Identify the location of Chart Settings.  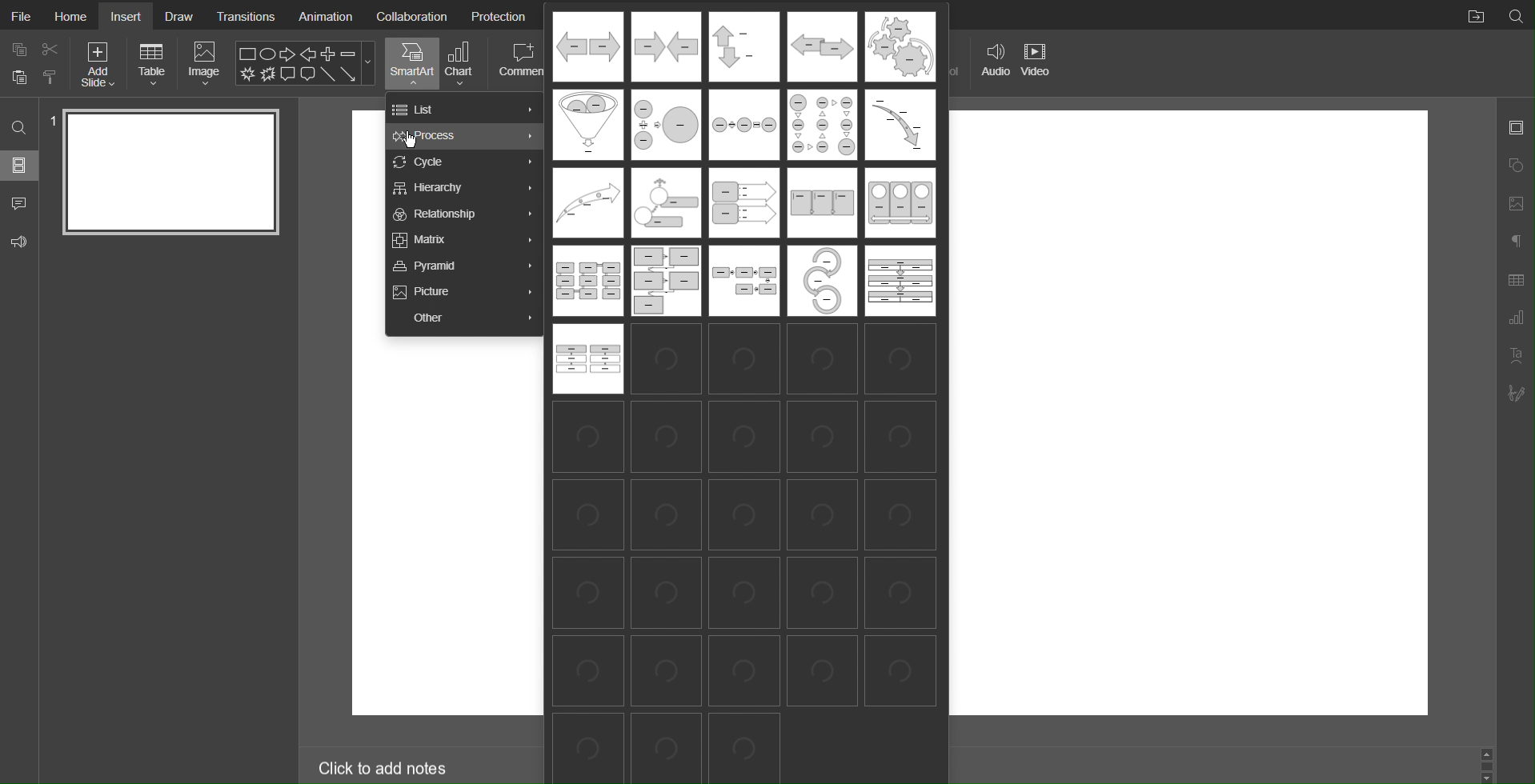
(1516, 319).